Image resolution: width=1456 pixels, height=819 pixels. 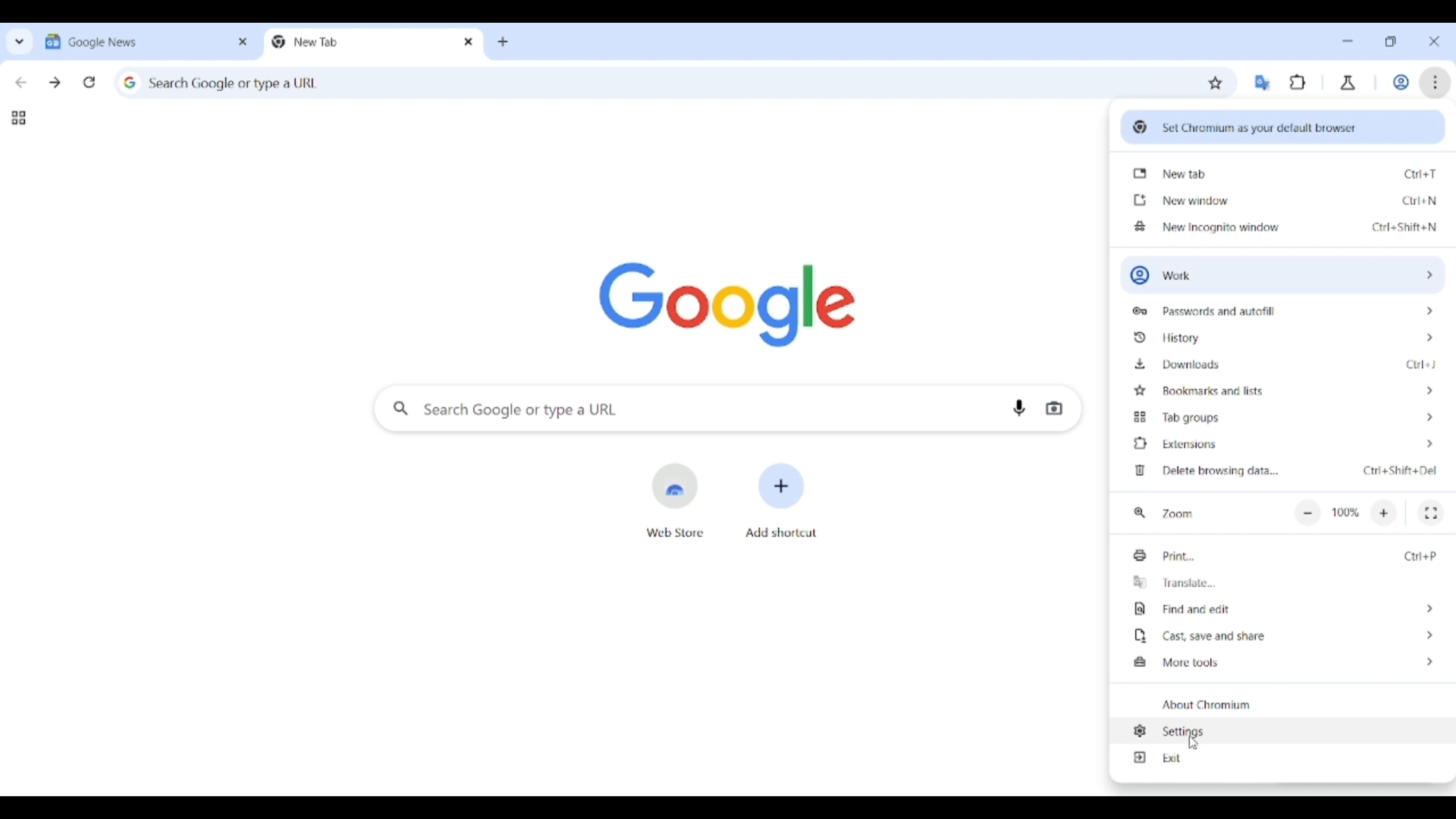 I want to click on Extension options, so click(x=1284, y=444).